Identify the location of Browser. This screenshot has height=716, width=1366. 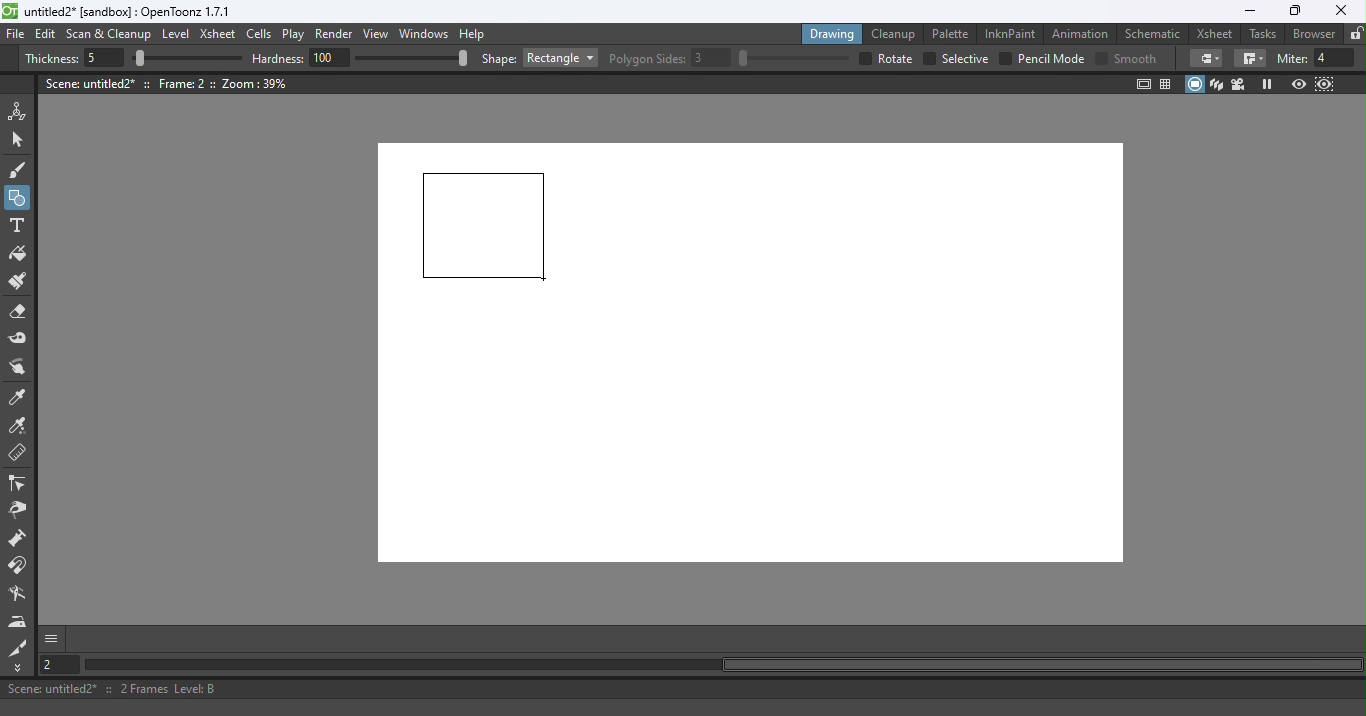
(1311, 33).